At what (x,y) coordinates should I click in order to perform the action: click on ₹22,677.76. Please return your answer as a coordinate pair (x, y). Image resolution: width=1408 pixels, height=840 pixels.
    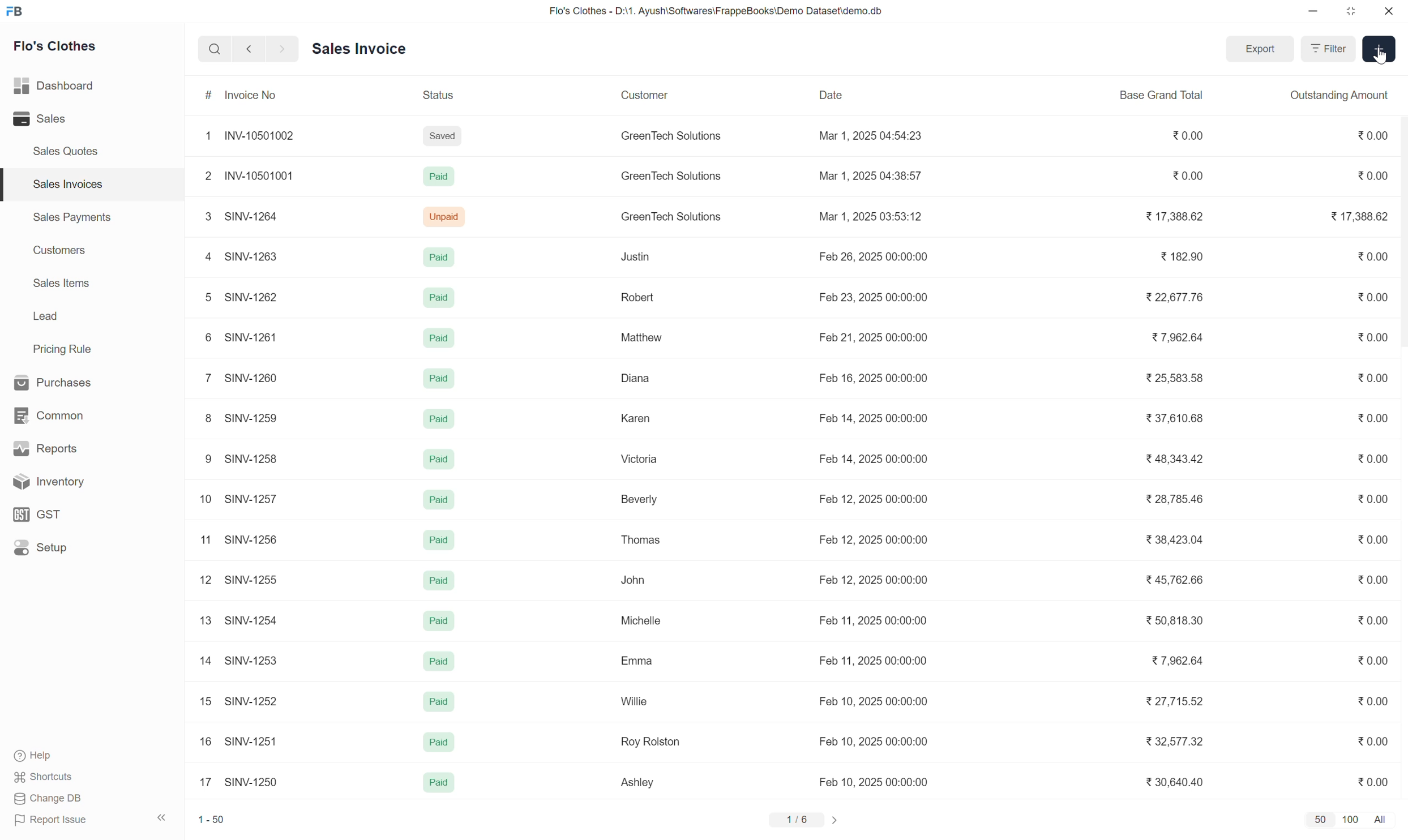
    Looking at the image, I should click on (1169, 298).